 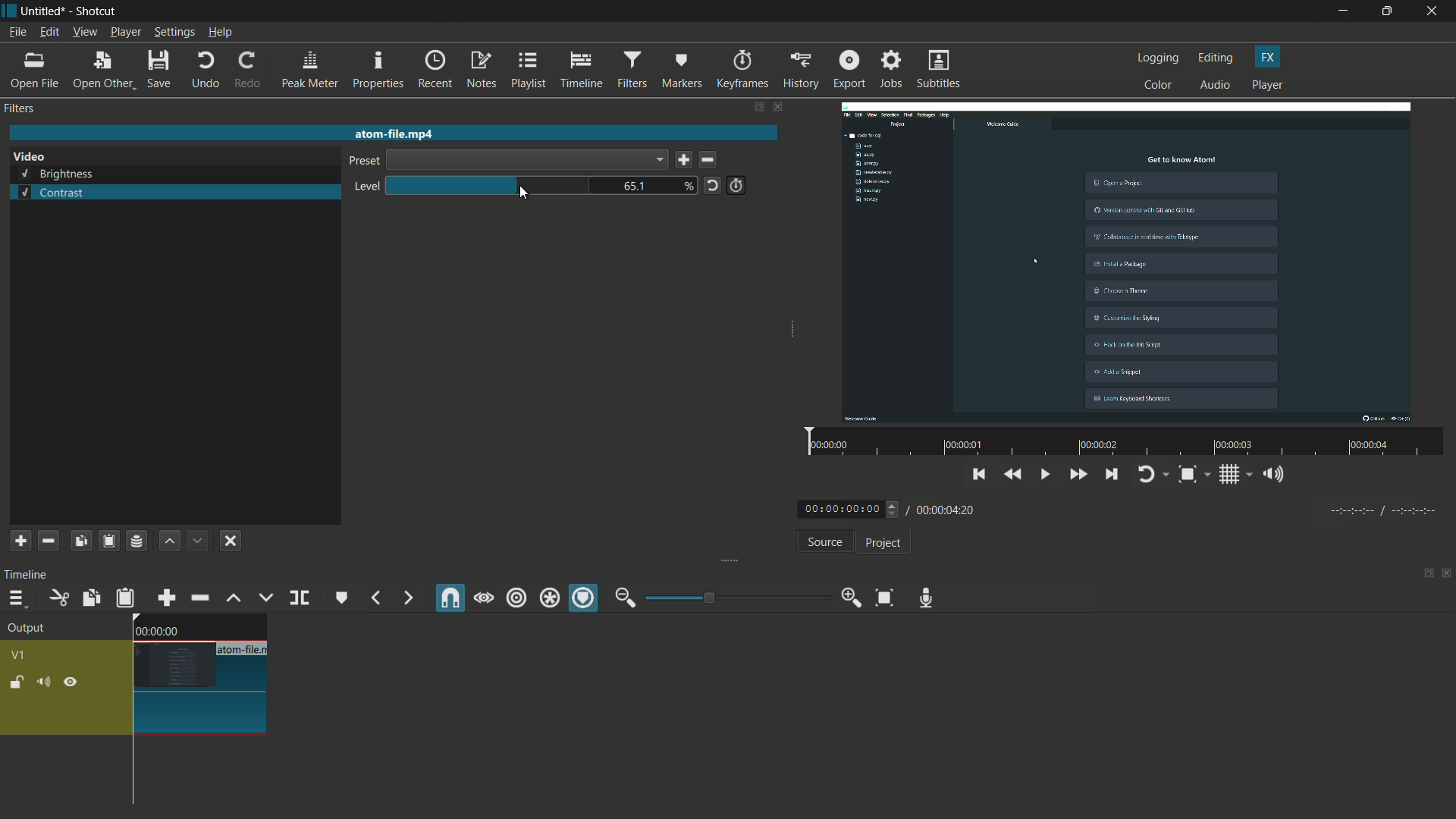 I want to click on logging, so click(x=1159, y=58).